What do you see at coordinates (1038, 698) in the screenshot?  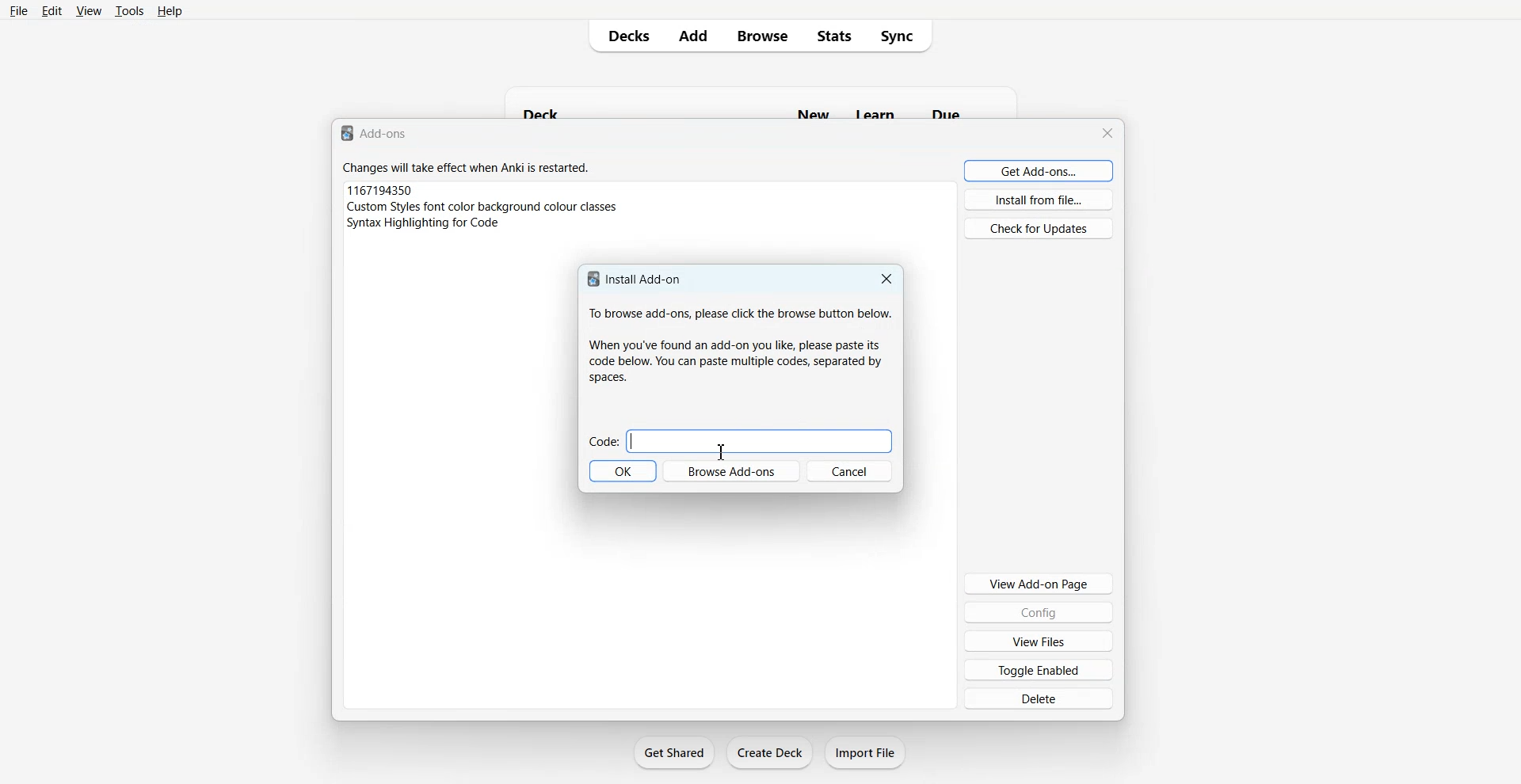 I see `Delete` at bounding box center [1038, 698].